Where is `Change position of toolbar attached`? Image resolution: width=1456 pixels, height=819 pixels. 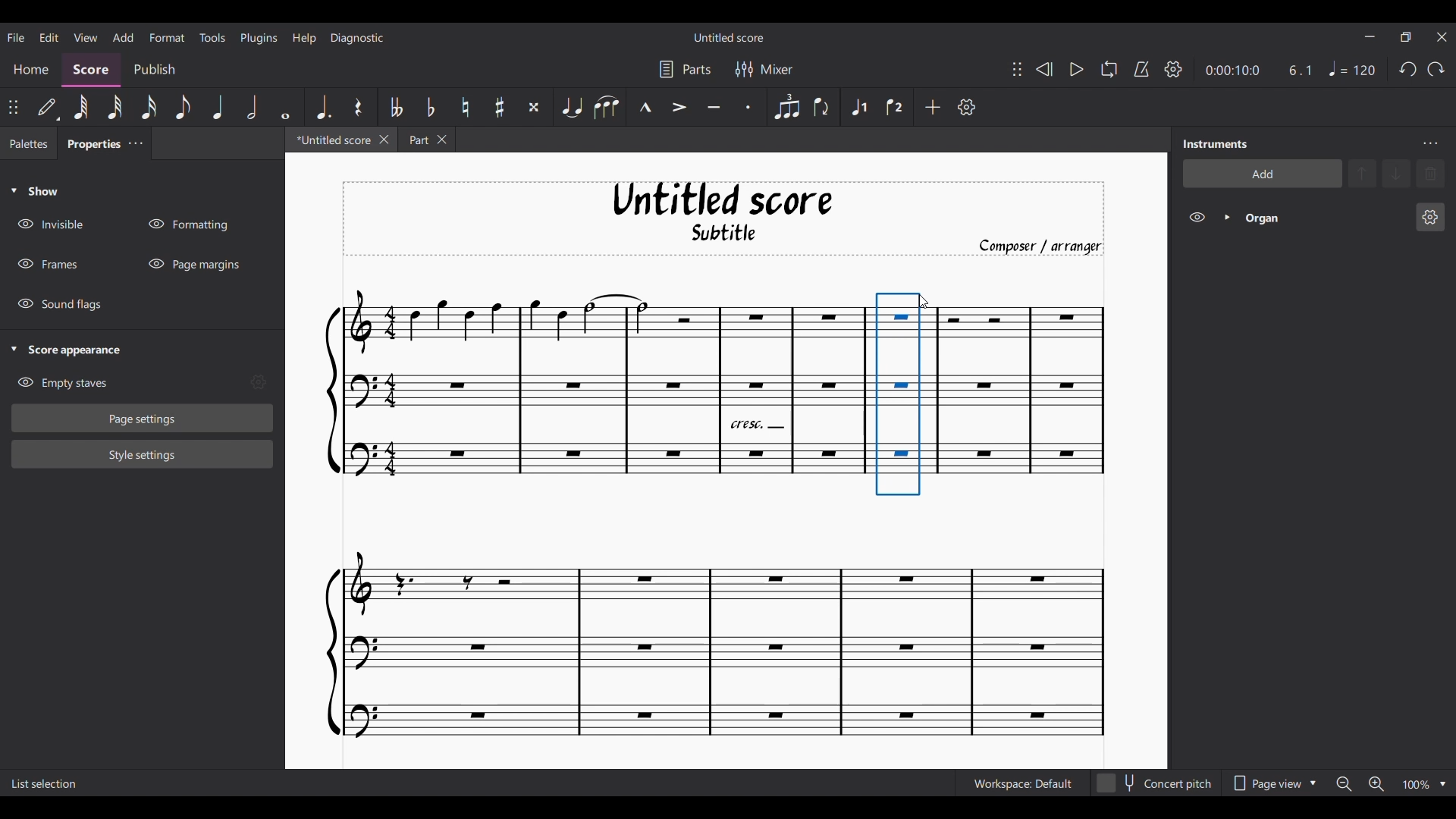
Change position of toolbar attached is located at coordinates (12, 107).